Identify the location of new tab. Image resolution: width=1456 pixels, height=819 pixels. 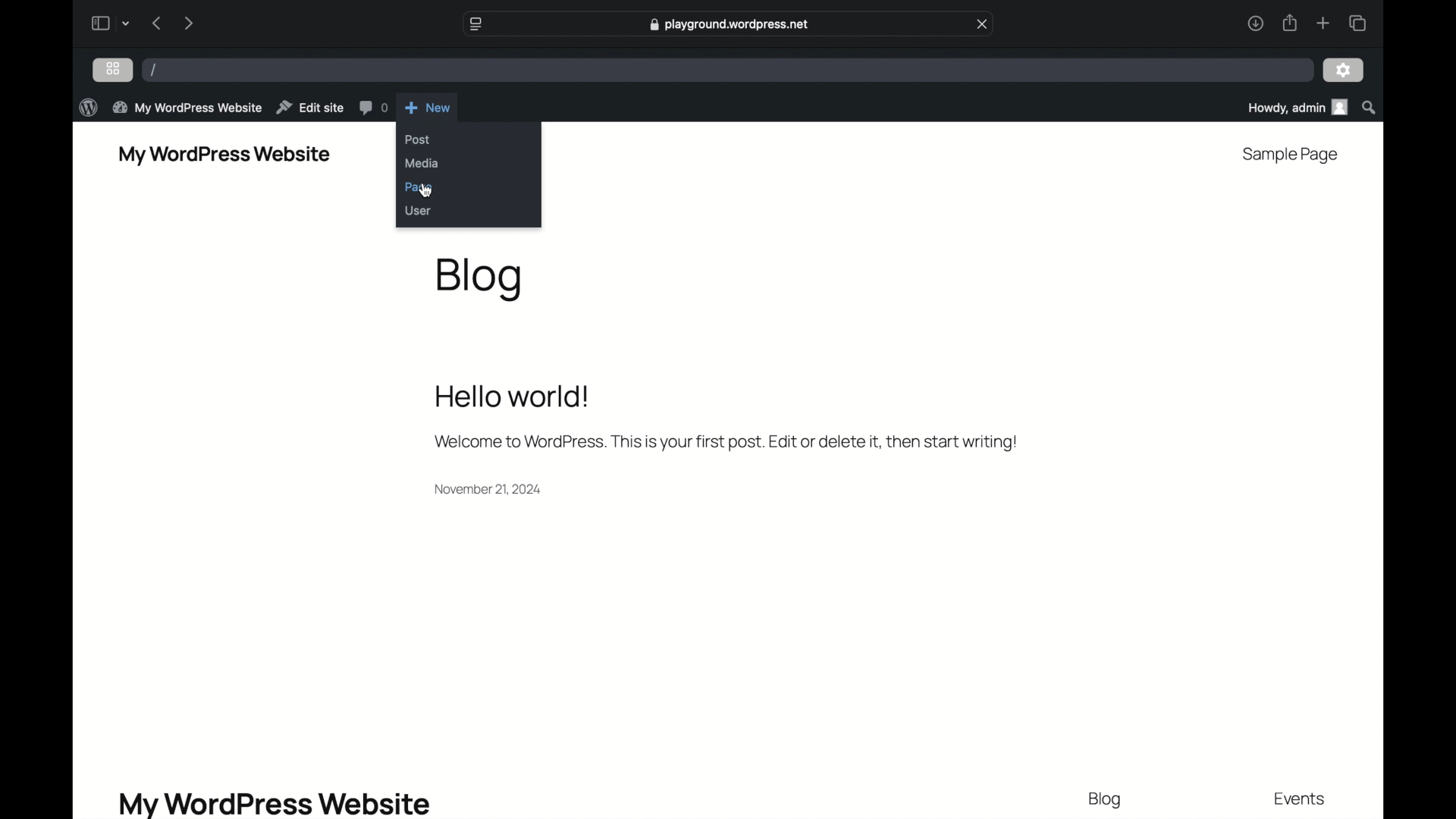
(1323, 23).